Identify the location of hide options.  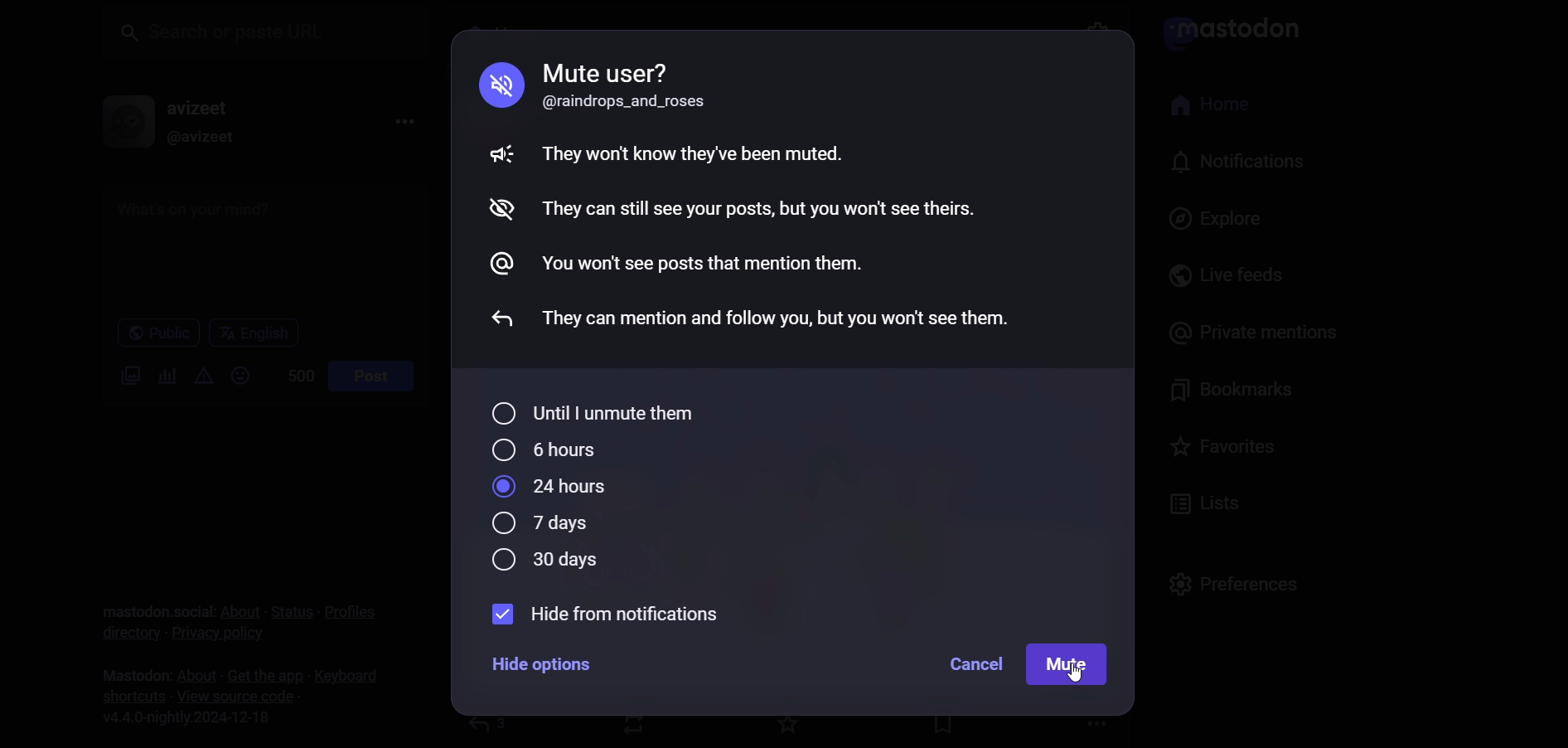
(544, 668).